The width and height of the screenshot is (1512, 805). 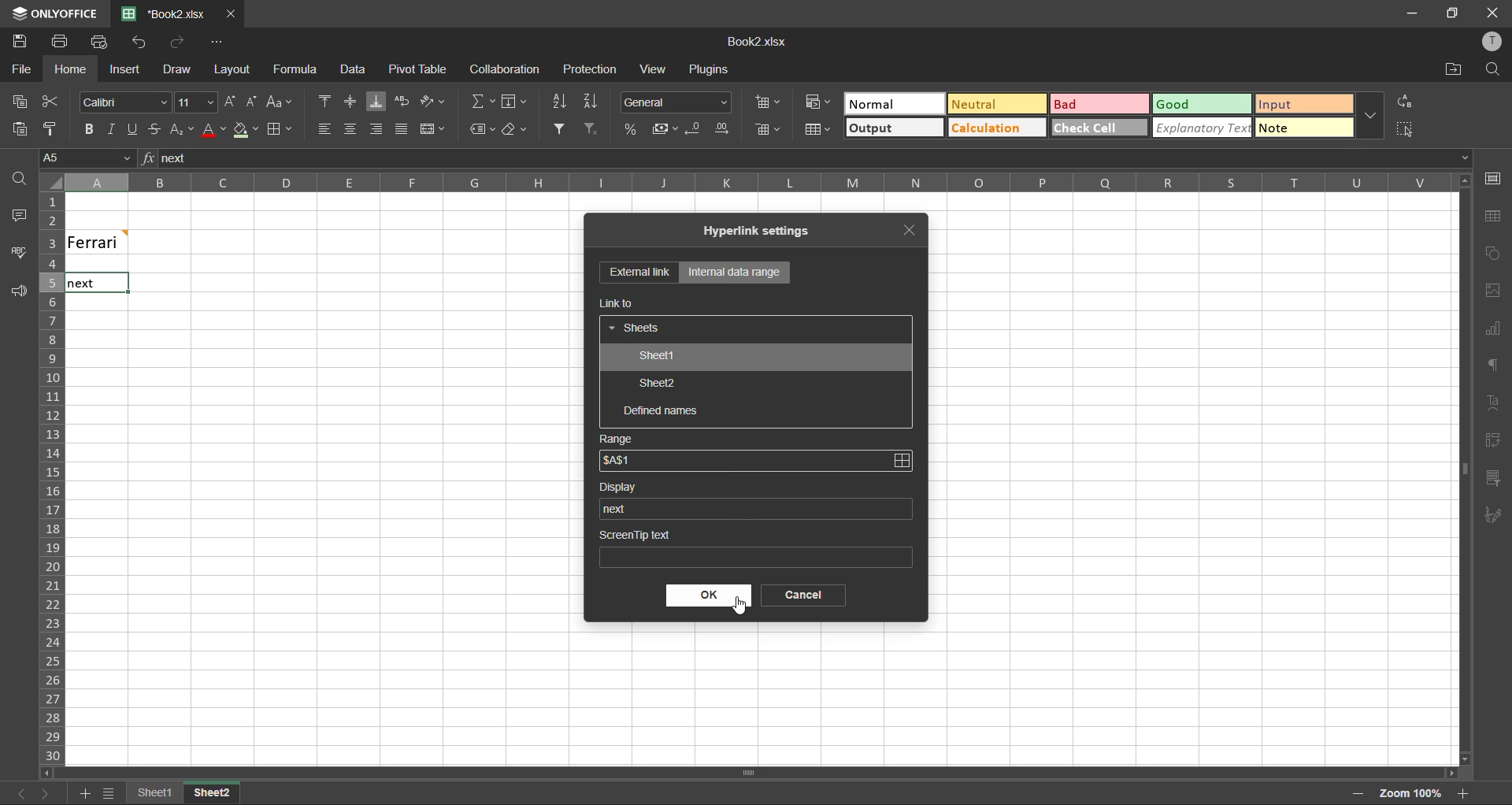 What do you see at coordinates (106, 793) in the screenshot?
I see `sheet list` at bounding box center [106, 793].